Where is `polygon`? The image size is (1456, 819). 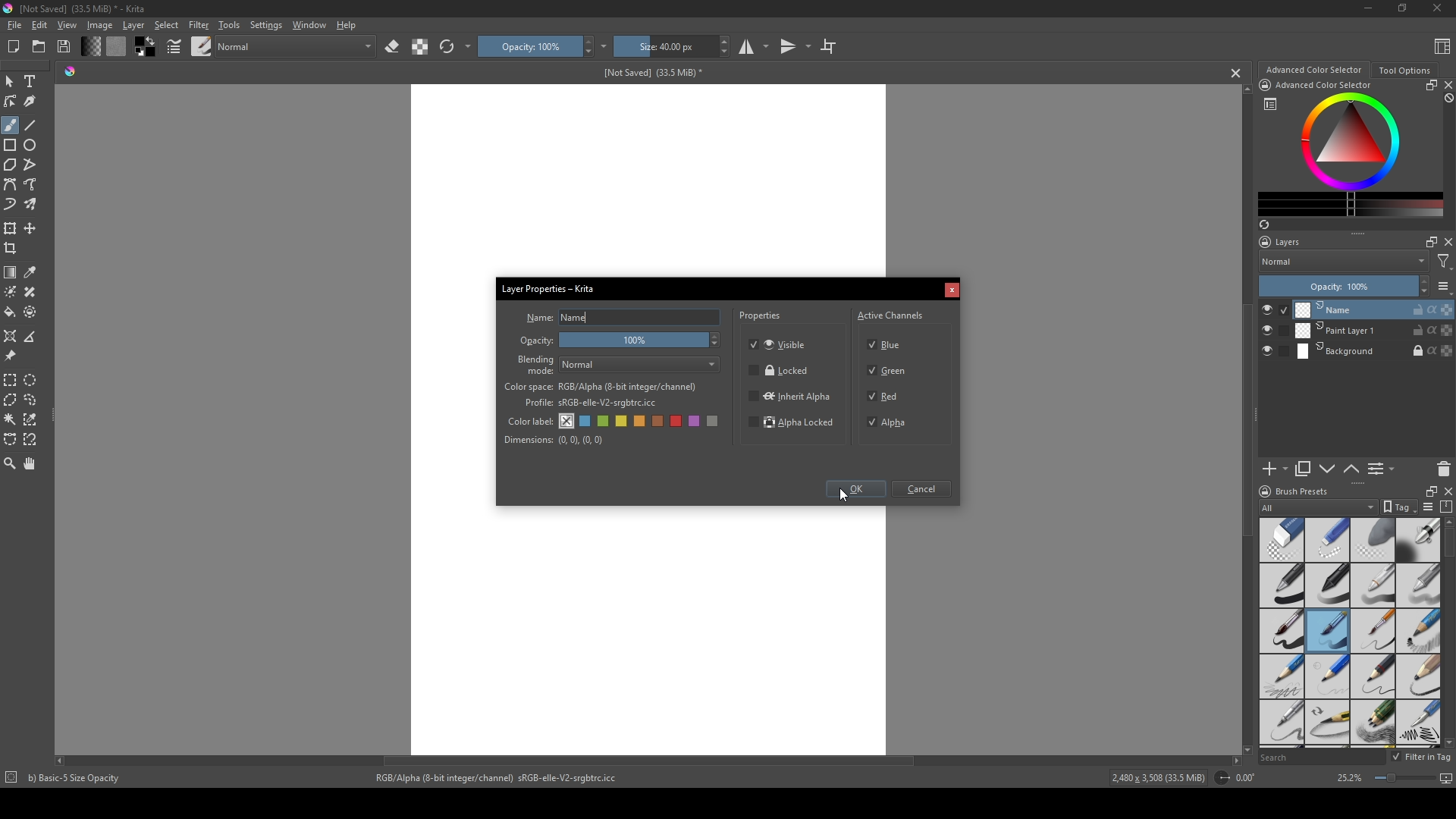 polygon is located at coordinates (10, 165).